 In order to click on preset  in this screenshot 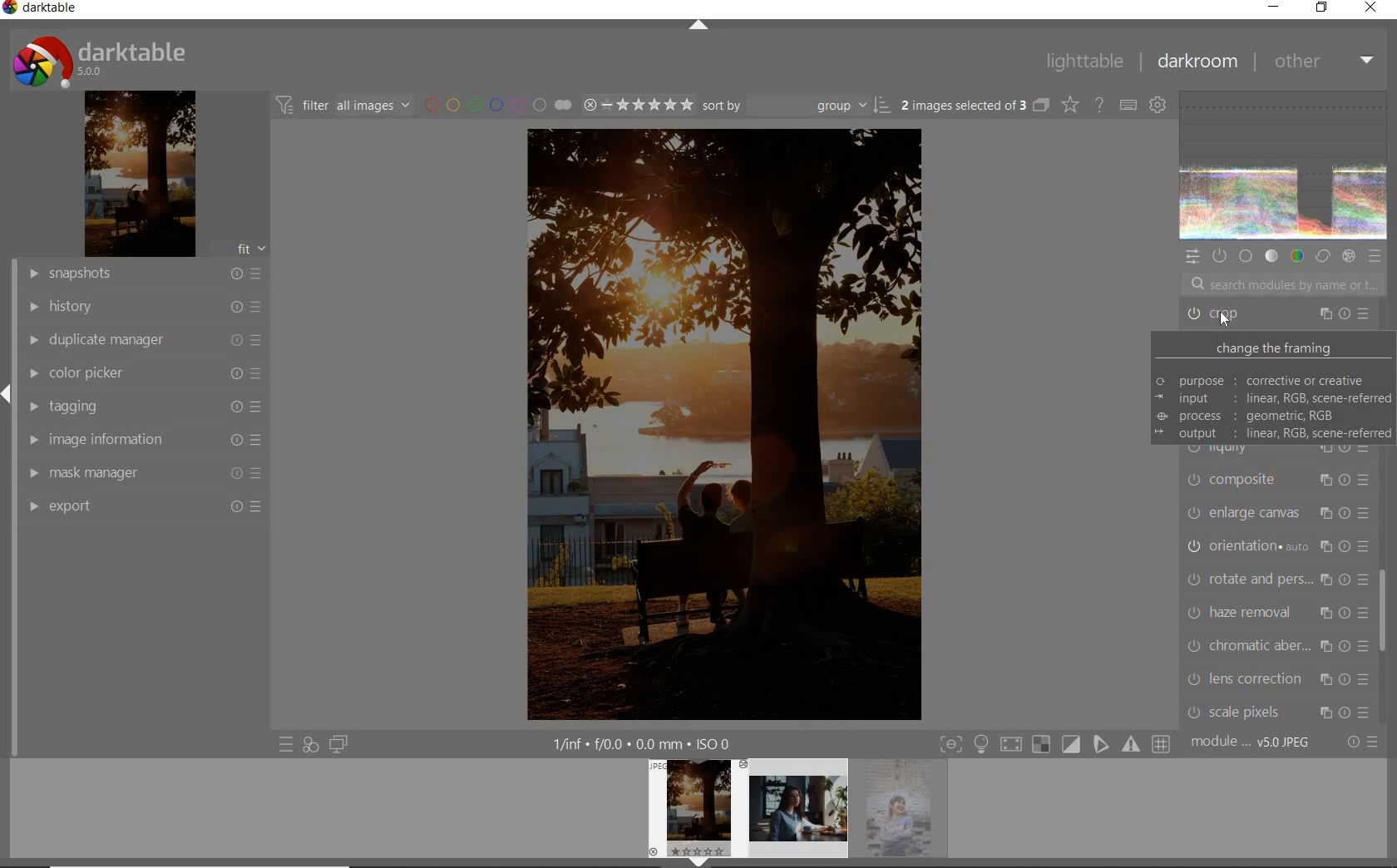, I will do `click(1375, 254)`.